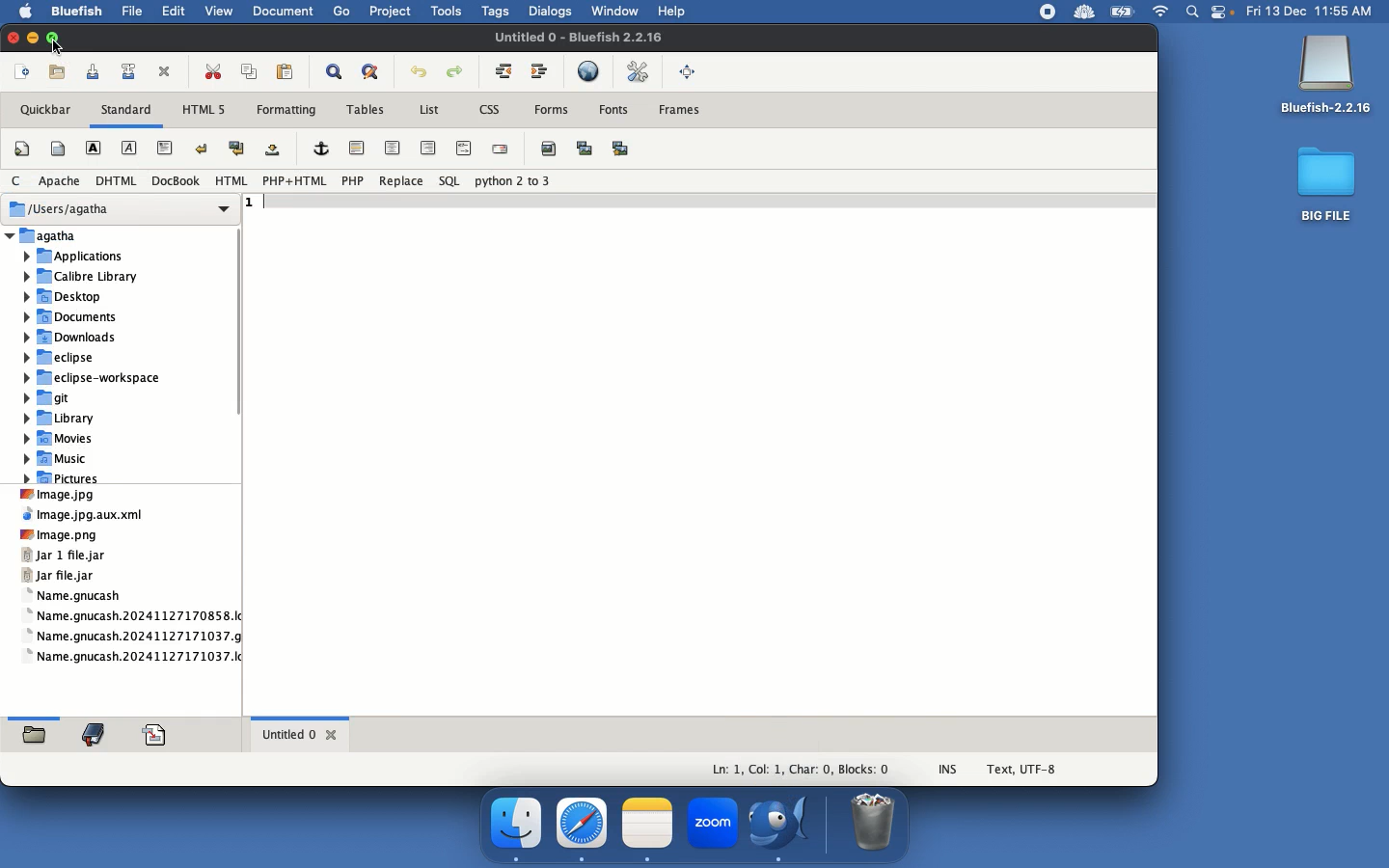 The height and width of the screenshot is (868, 1389). Describe the element at coordinates (73, 13) in the screenshot. I see `bluefish` at that location.